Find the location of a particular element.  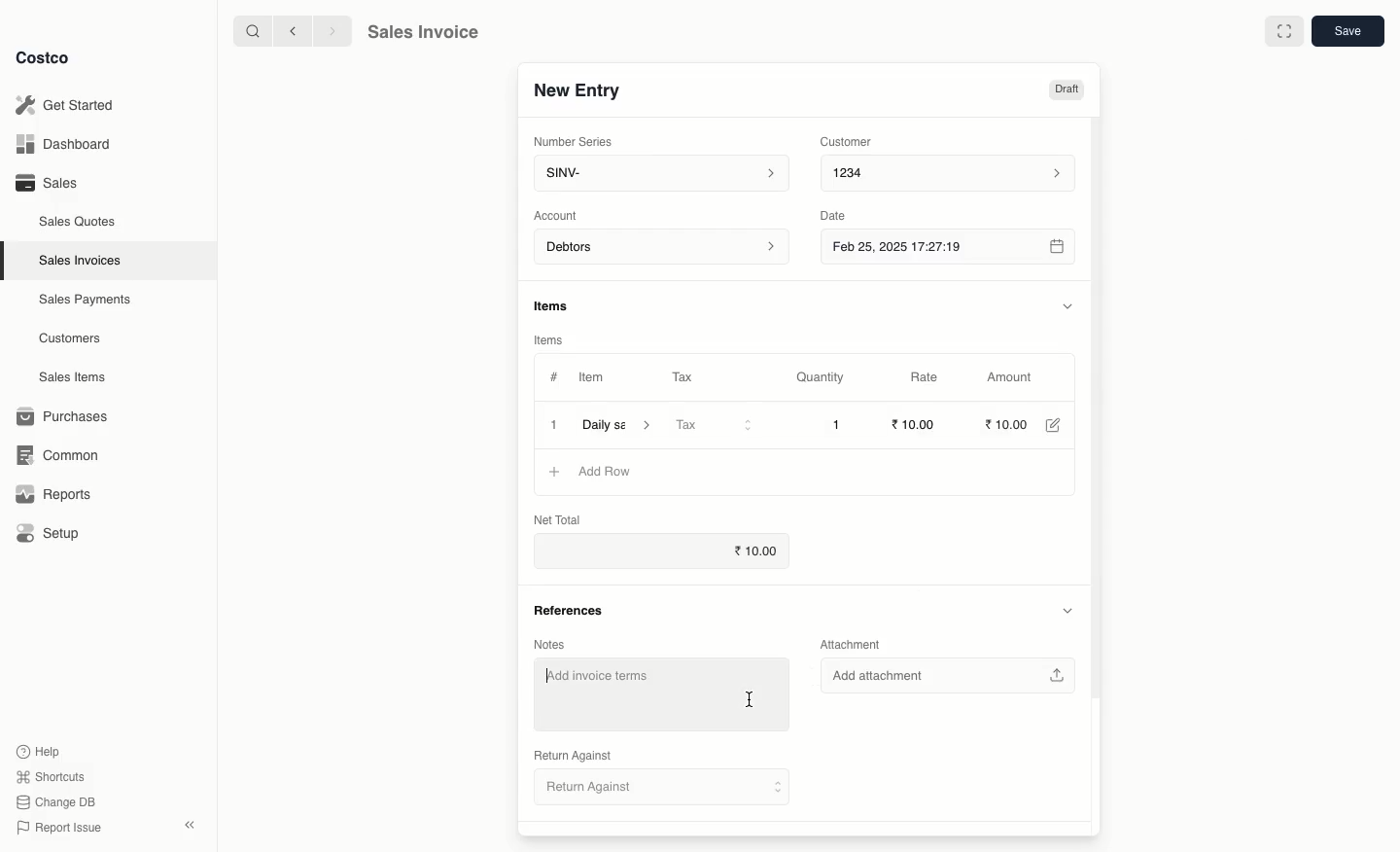

Notes is located at coordinates (550, 644).